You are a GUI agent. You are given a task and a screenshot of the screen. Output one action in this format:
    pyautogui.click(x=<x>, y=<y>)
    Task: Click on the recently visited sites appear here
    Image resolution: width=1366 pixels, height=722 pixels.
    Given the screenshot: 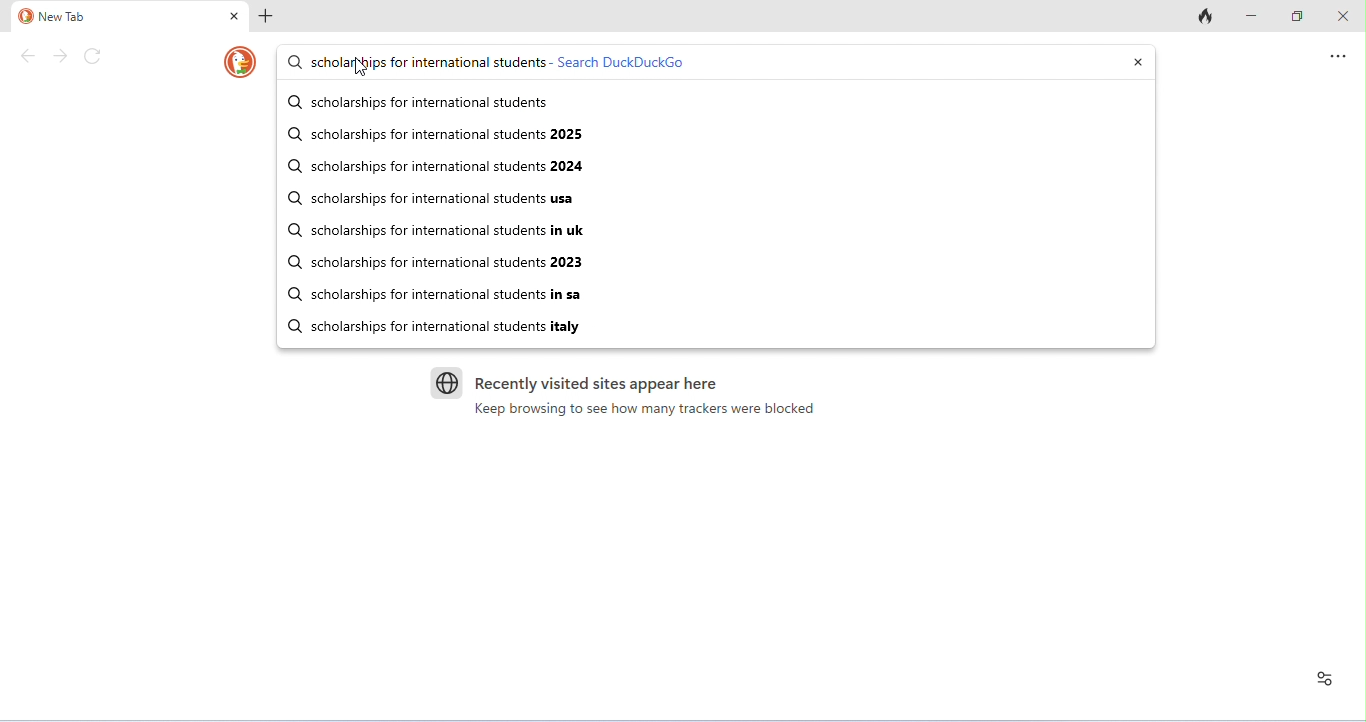 What is the action you would take?
    pyautogui.click(x=571, y=378)
    